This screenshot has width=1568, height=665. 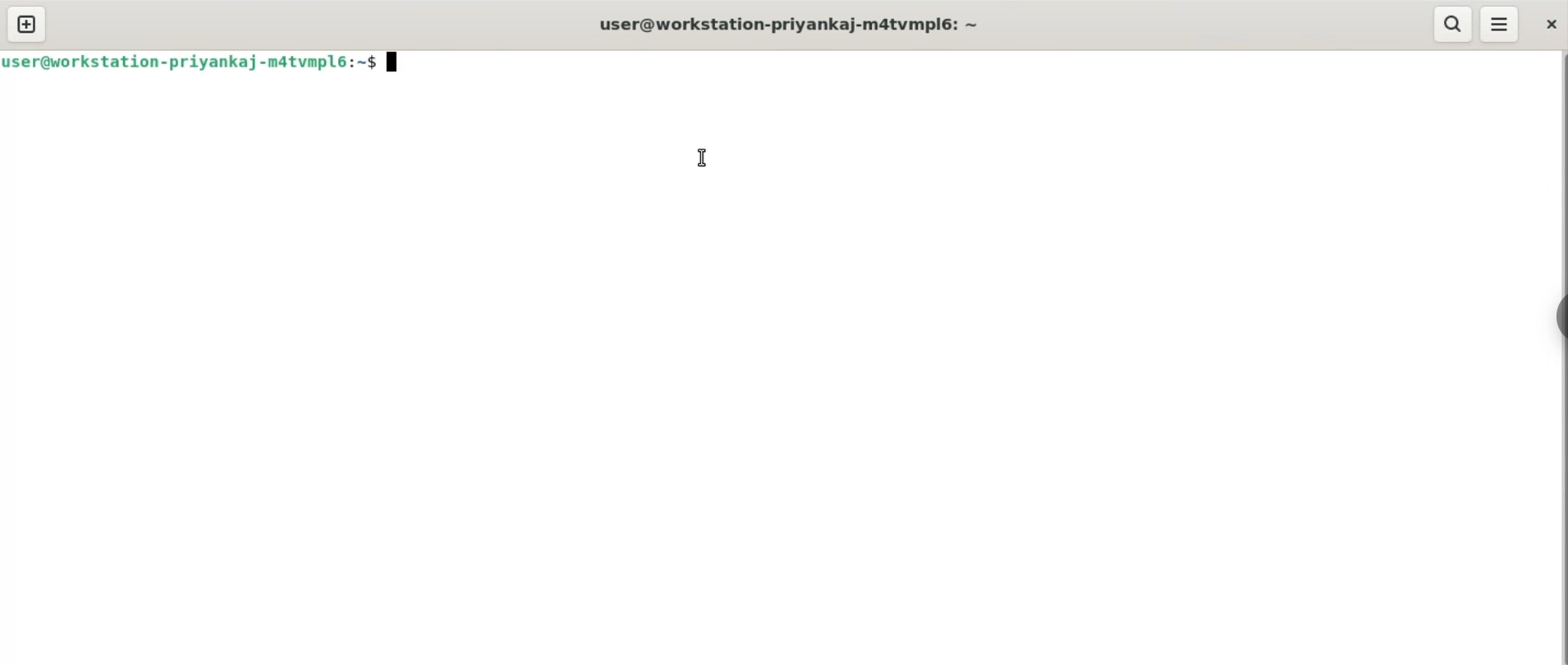 I want to click on terminal cursor, so click(x=392, y=66).